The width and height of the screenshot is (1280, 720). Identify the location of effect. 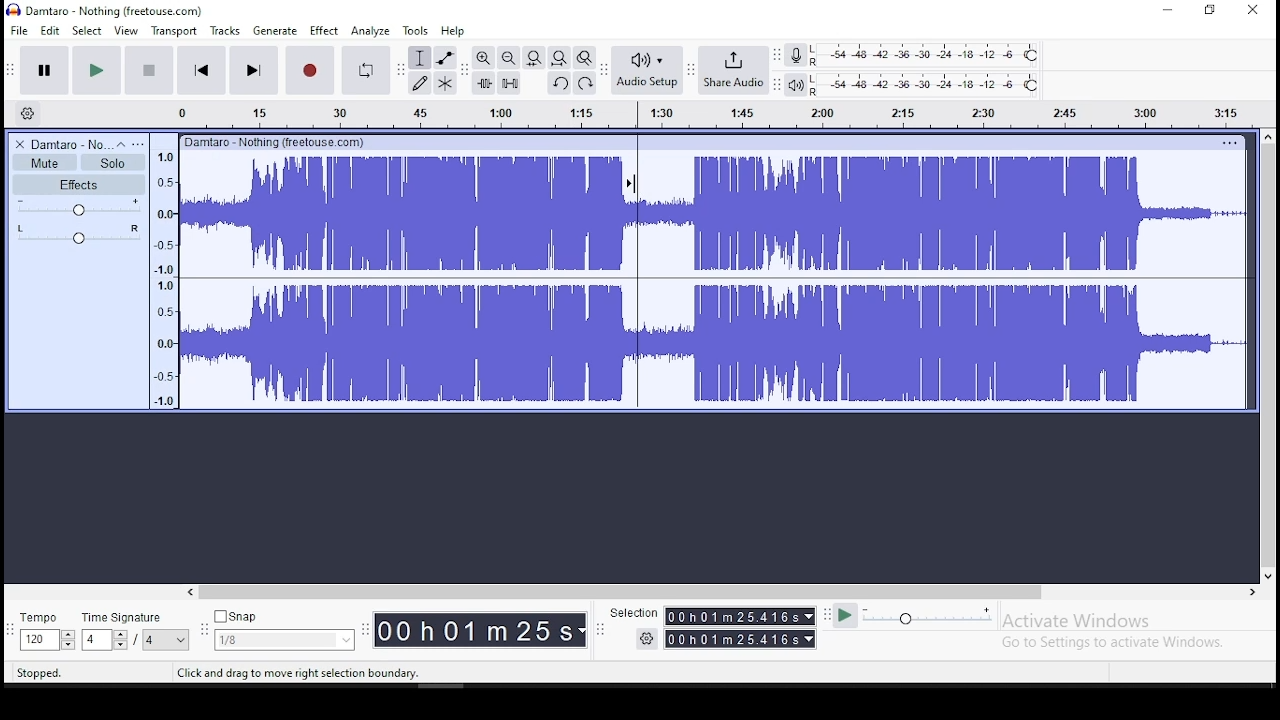
(324, 30).